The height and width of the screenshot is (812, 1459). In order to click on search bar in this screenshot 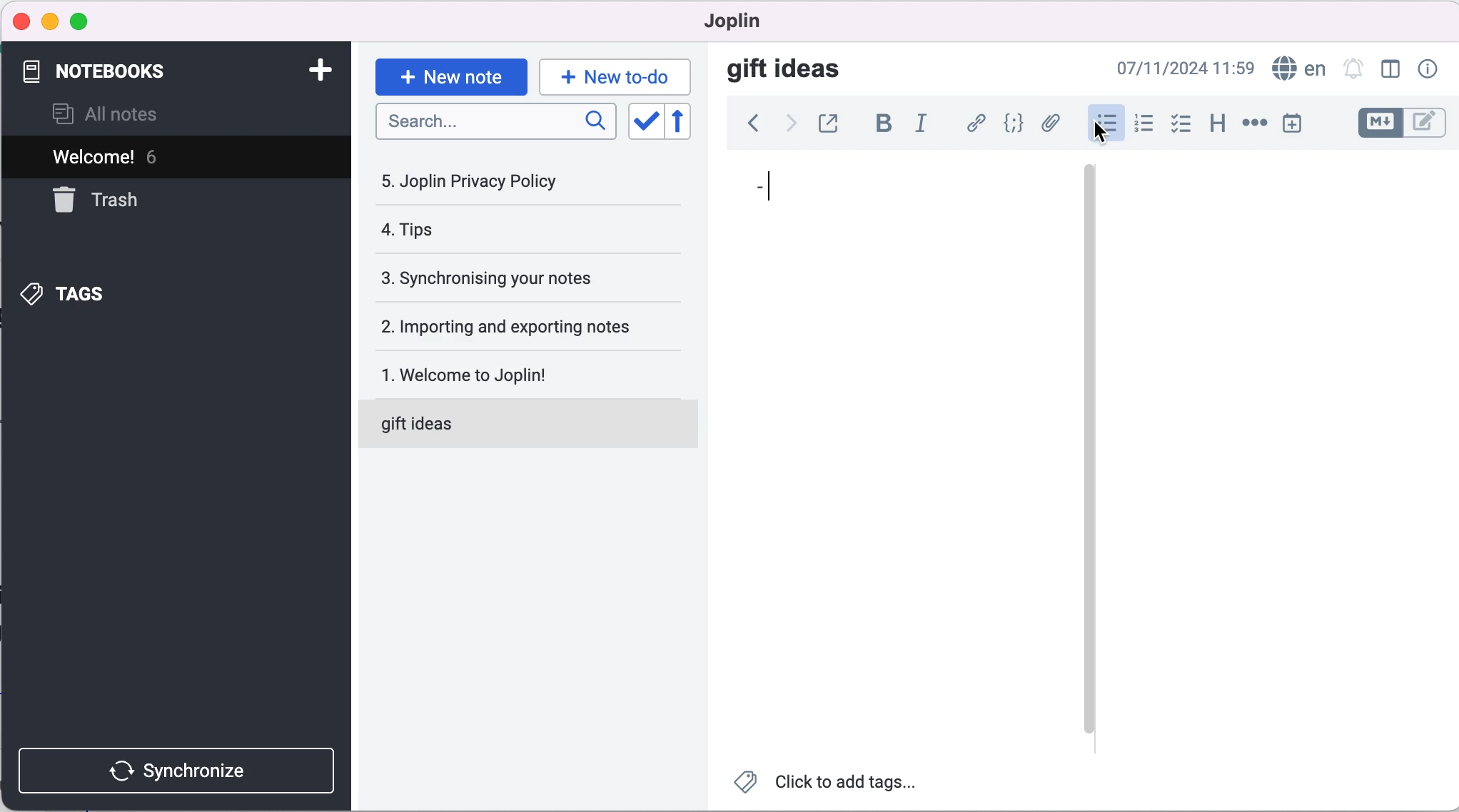, I will do `click(493, 123)`.